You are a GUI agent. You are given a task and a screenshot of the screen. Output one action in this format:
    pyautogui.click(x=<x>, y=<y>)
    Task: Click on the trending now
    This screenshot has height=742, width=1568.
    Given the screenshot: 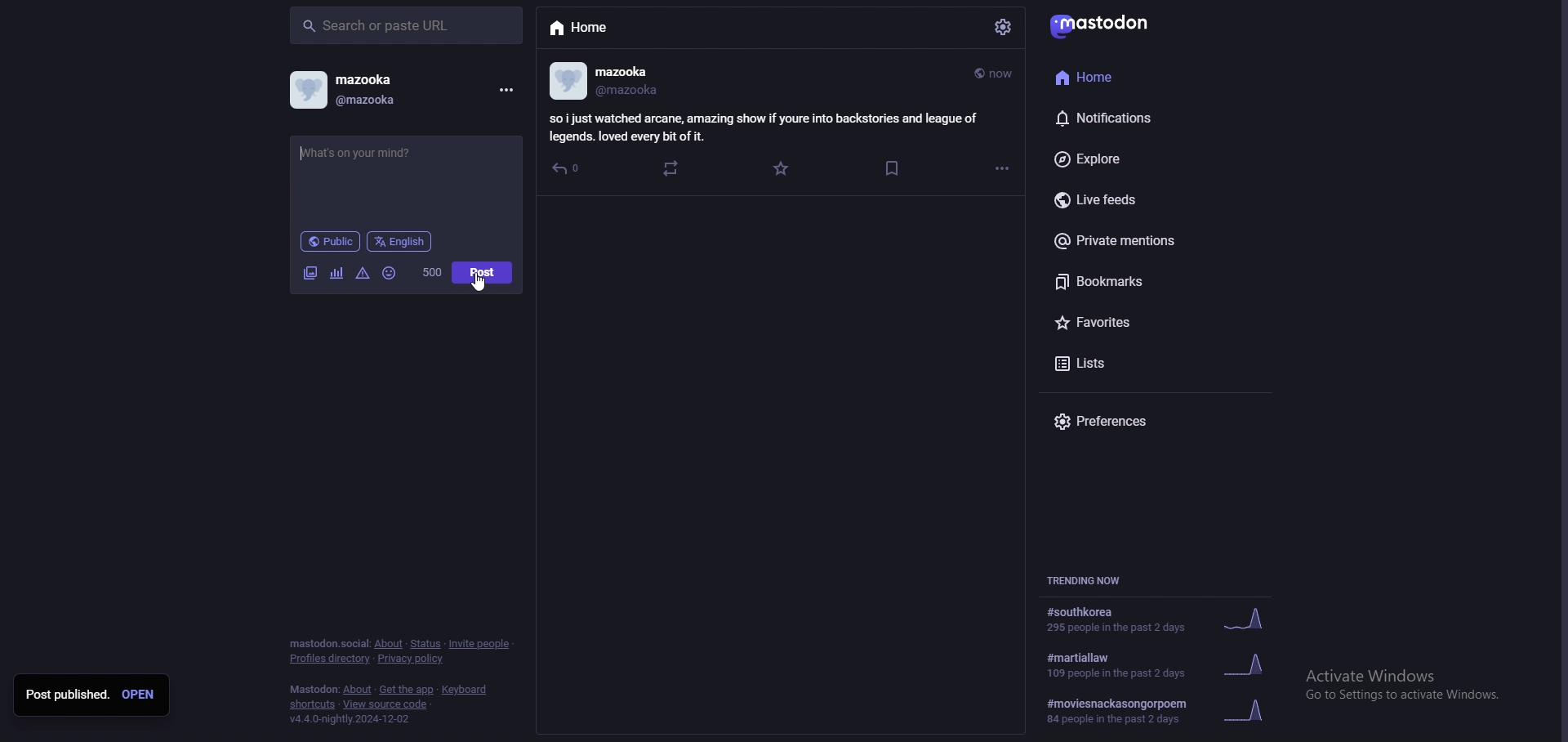 What is the action you would take?
    pyautogui.click(x=1091, y=579)
    